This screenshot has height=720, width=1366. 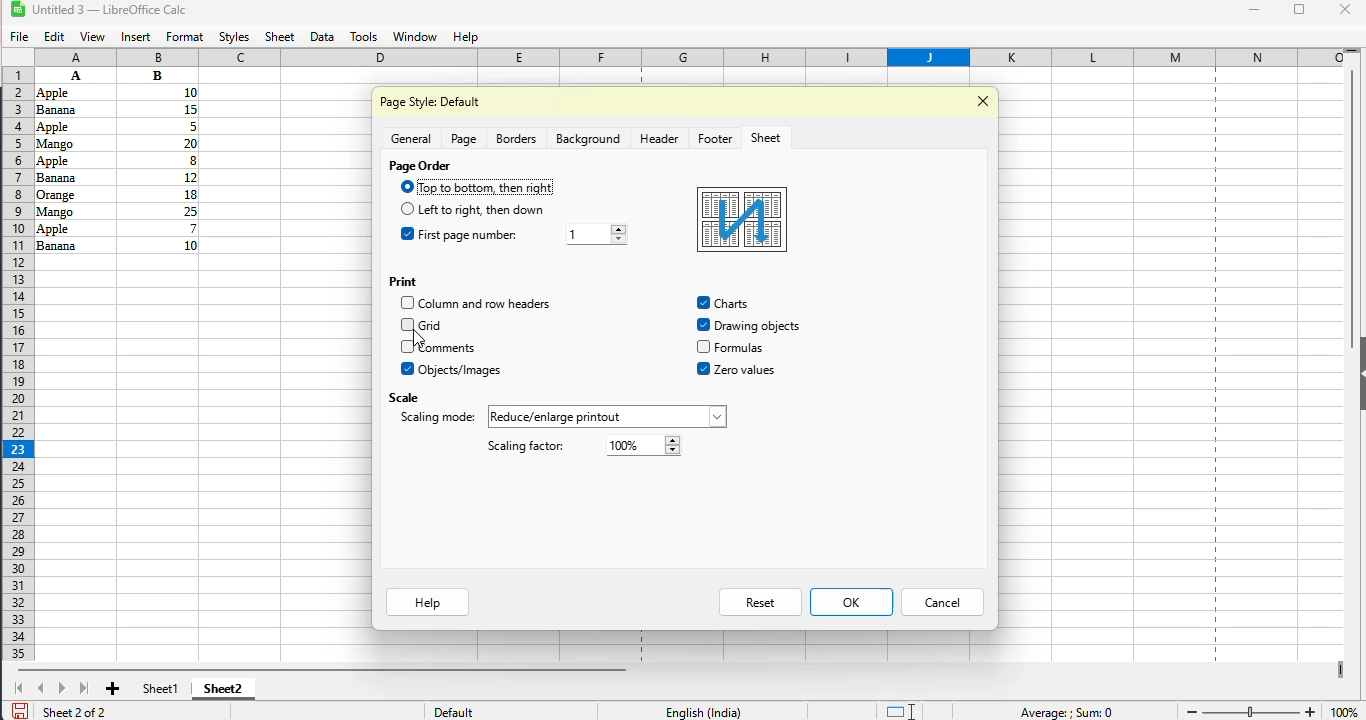 What do you see at coordinates (159, 211) in the screenshot?
I see `` at bounding box center [159, 211].